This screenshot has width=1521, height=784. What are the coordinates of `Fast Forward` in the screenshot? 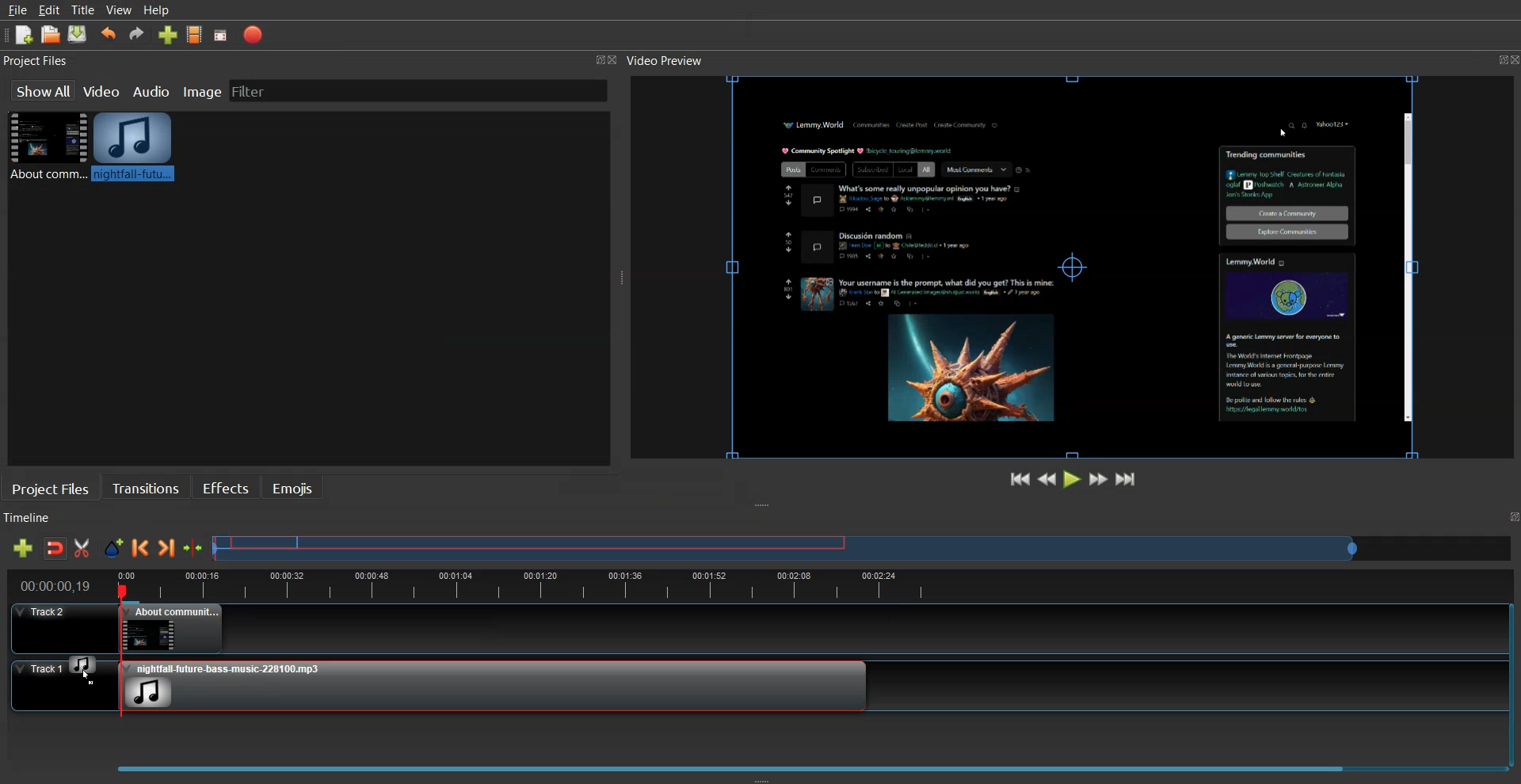 It's located at (1099, 478).